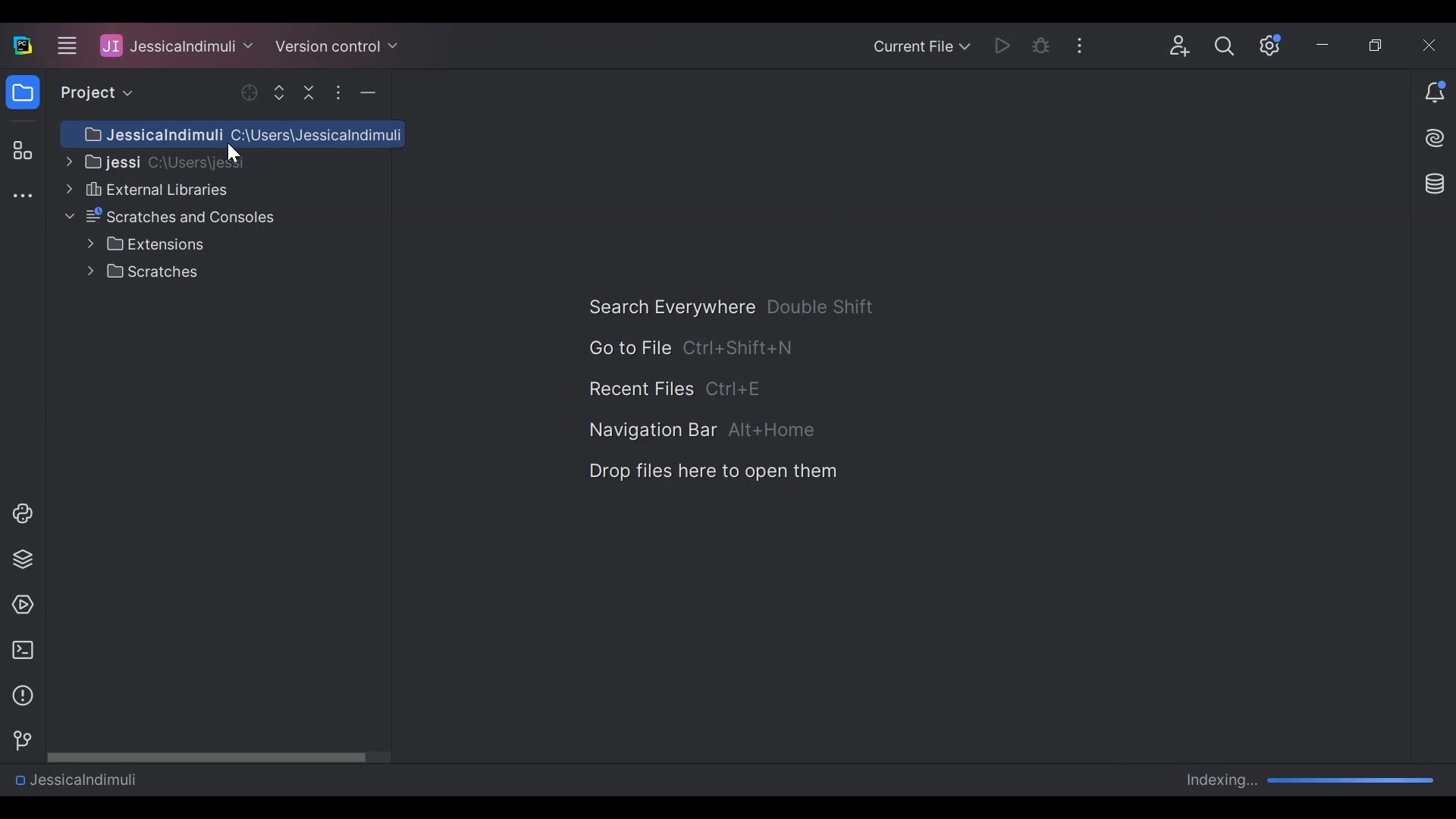 This screenshot has height=819, width=1456. I want to click on Project Directory, so click(152, 161).